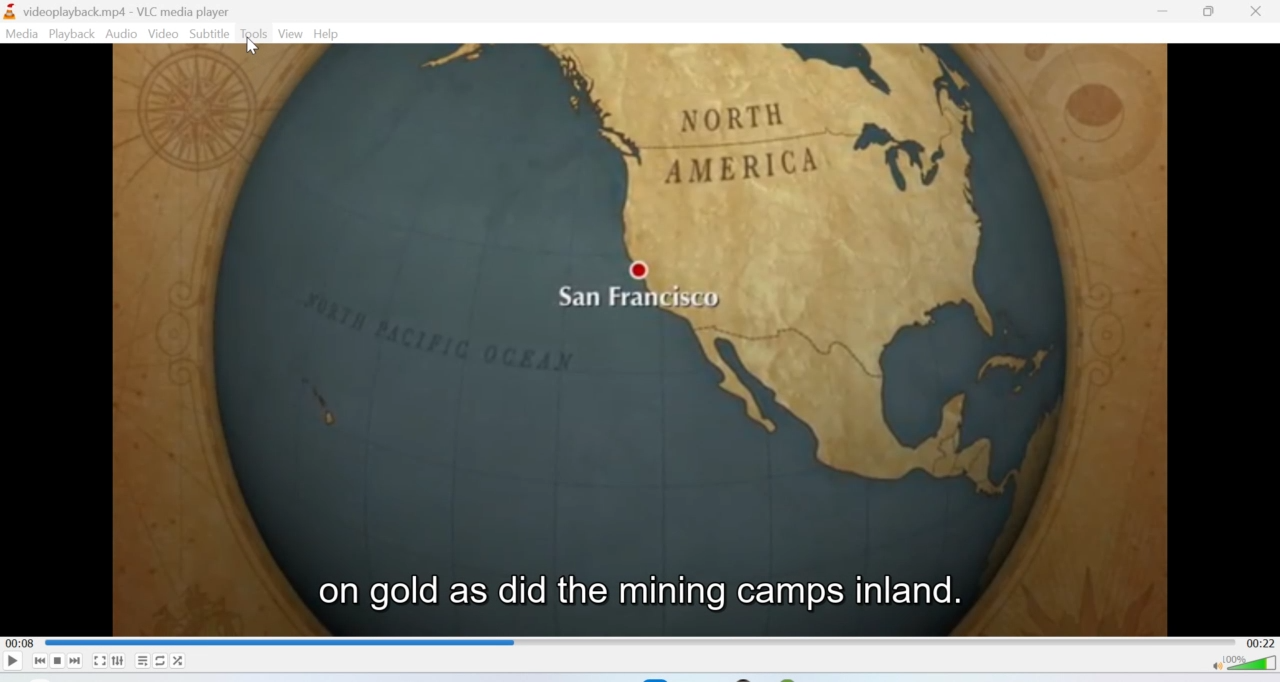  I want to click on Seek forward, so click(76, 661).